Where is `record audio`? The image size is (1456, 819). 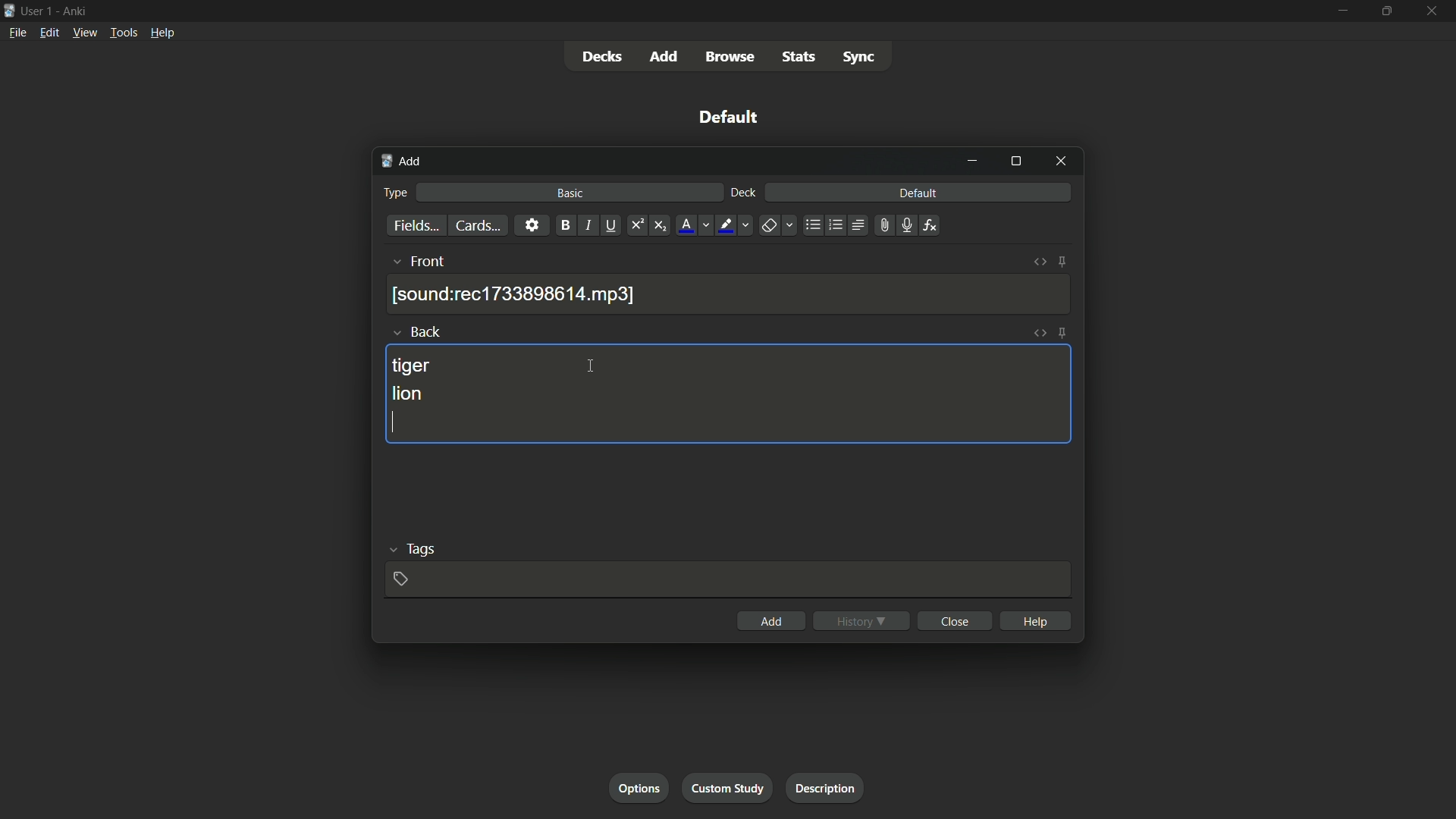
record audio is located at coordinates (903, 226).